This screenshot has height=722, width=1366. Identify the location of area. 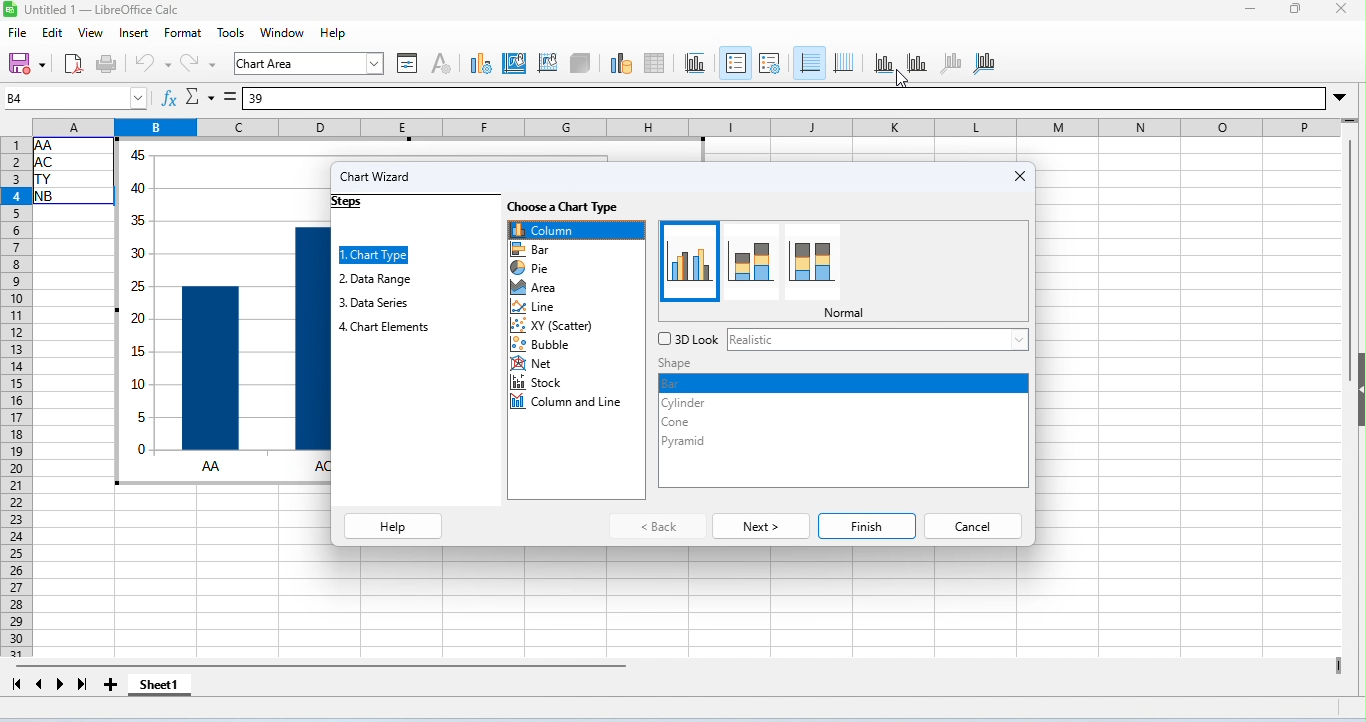
(538, 288).